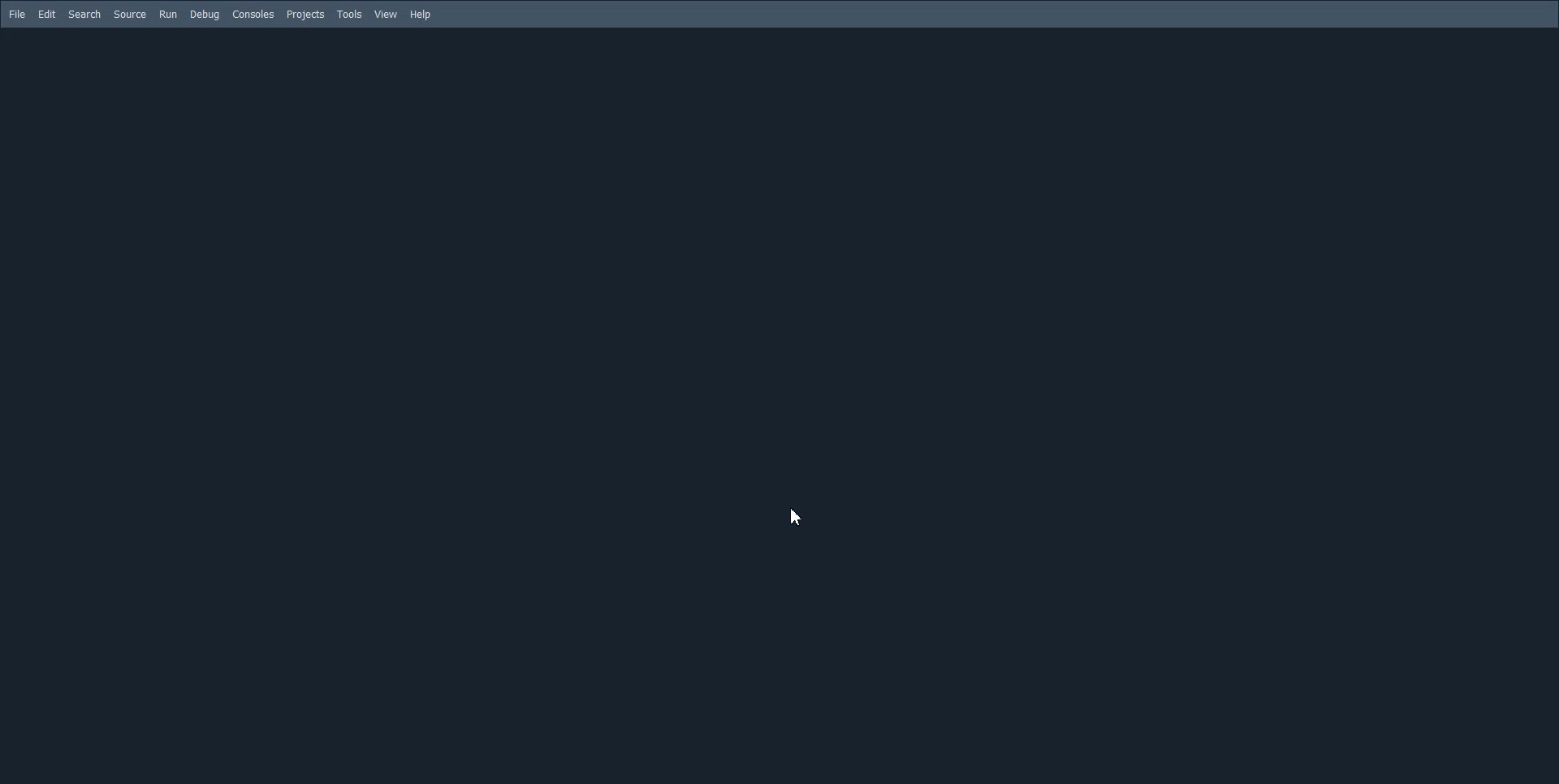 The width and height of the screenshot is (1559, 784). I want to click on Debug, so click(205, 15).